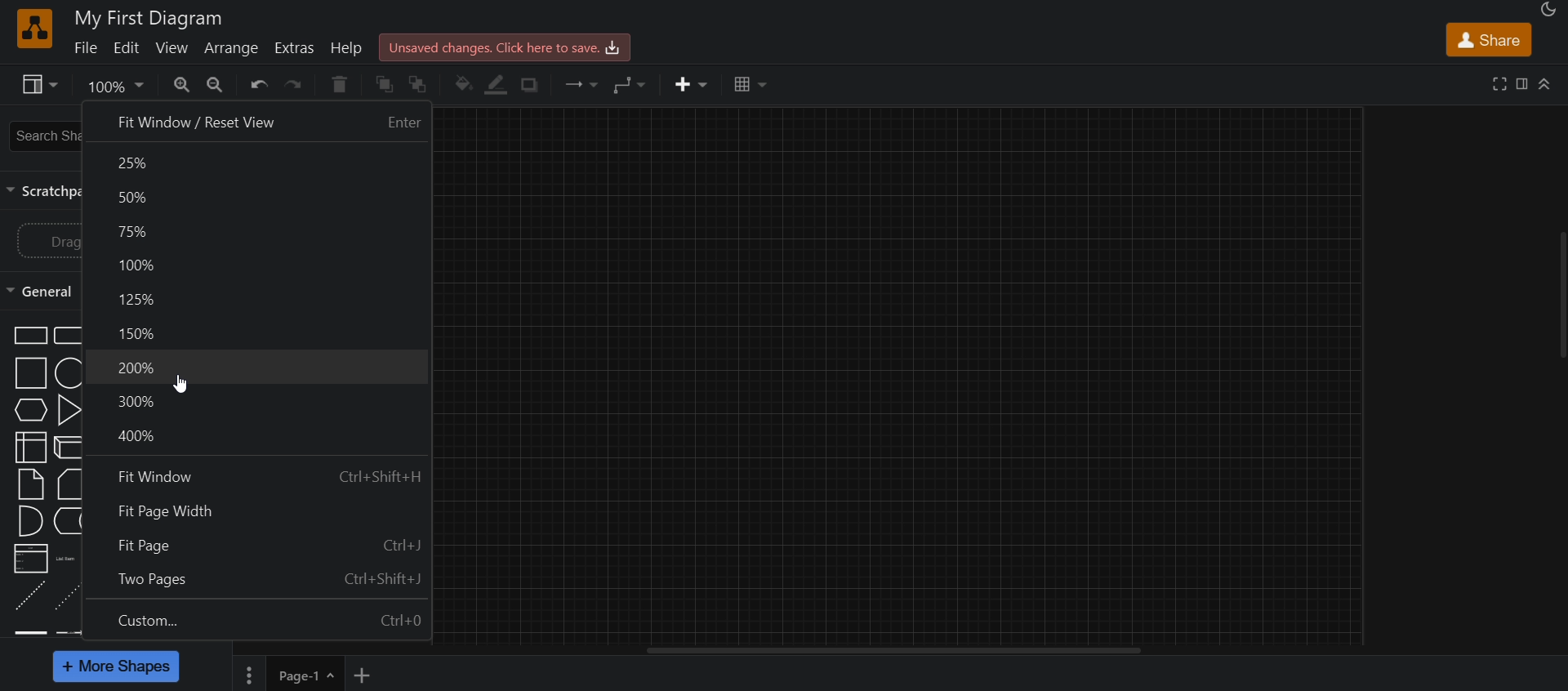 The height and width of the screenshot is (691, 1568). What do you see at coordinates (292, 48) in the screenshot?
I see `extras` at bounding box center [292, 48].